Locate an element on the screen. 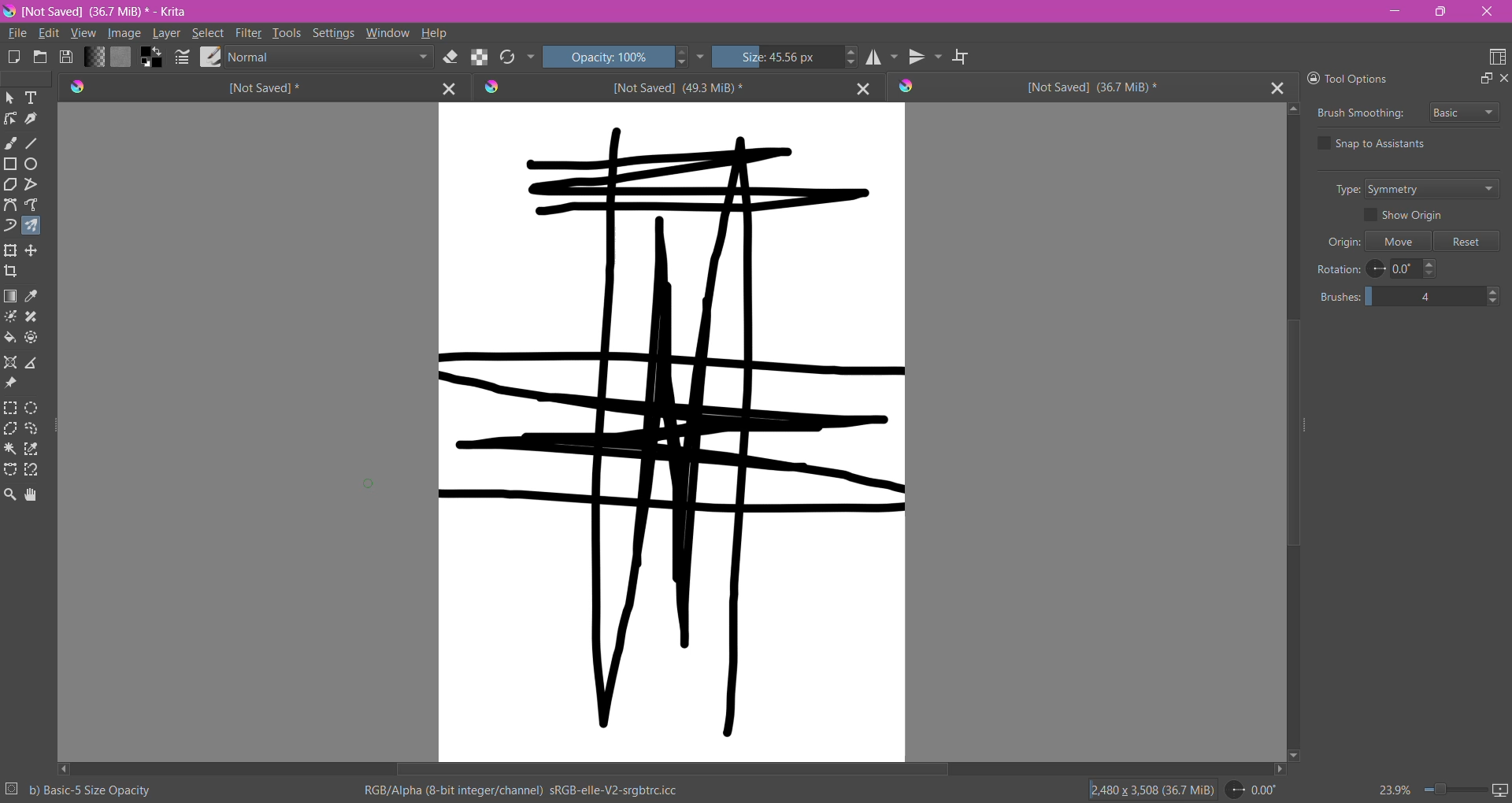 Image resolution: width=1512 pixels, height=803 pixels. Set Rotation Level is located at coordinates (1253, 791).